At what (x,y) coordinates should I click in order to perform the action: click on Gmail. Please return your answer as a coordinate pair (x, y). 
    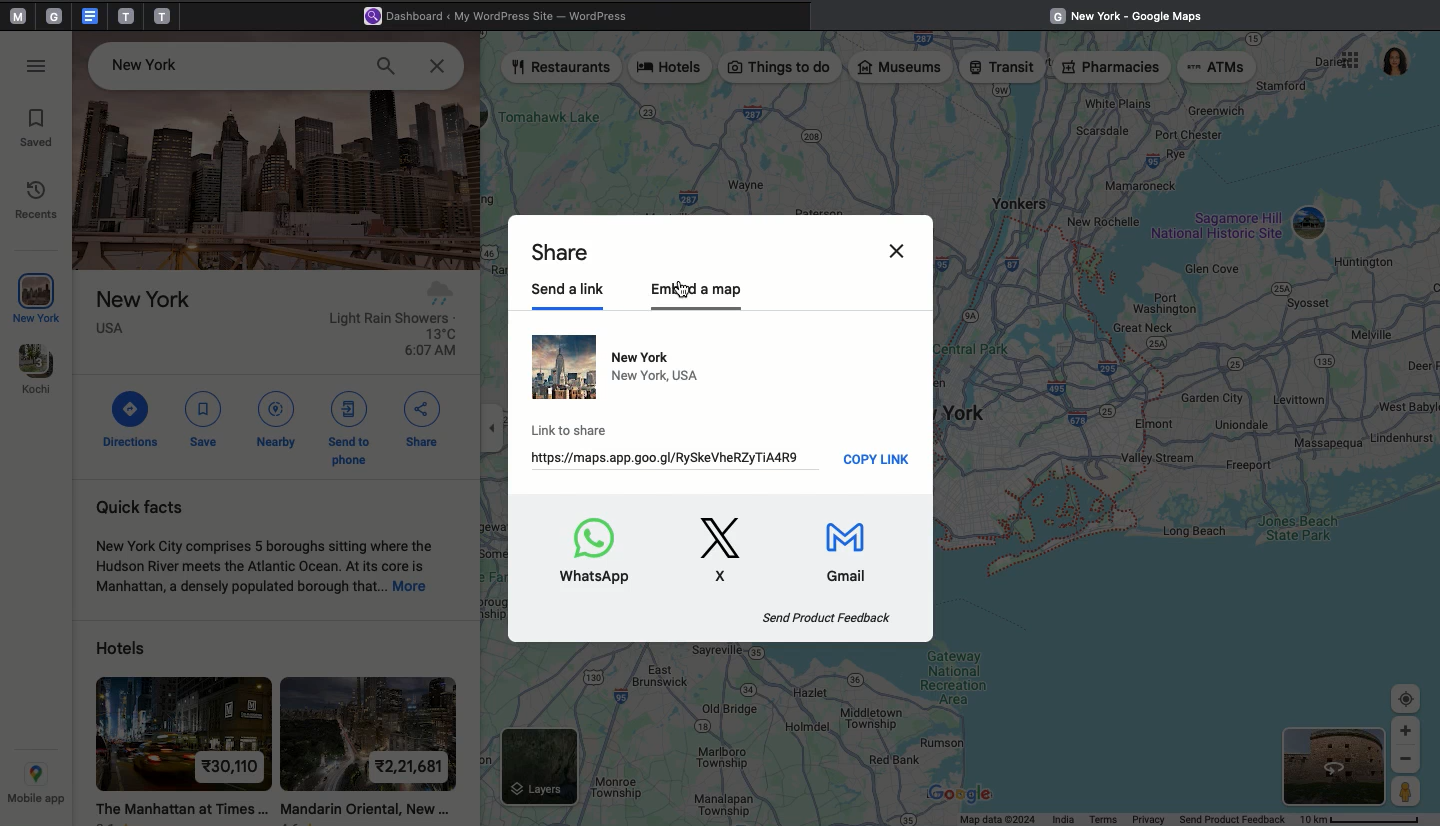
    Looking at the image, I should click on (858, 555).